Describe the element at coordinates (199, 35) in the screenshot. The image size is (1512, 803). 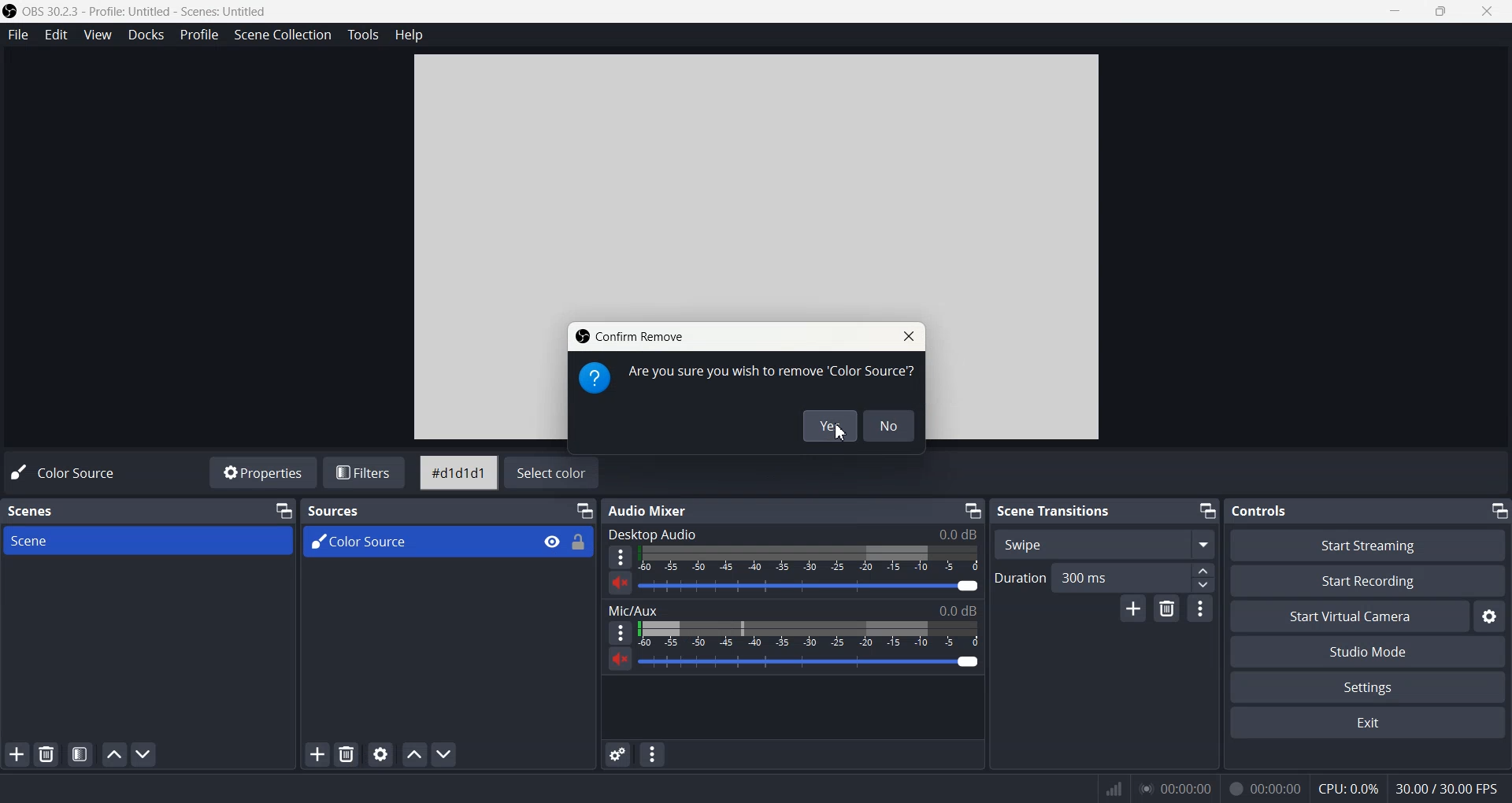
I see `Profile` at that location.